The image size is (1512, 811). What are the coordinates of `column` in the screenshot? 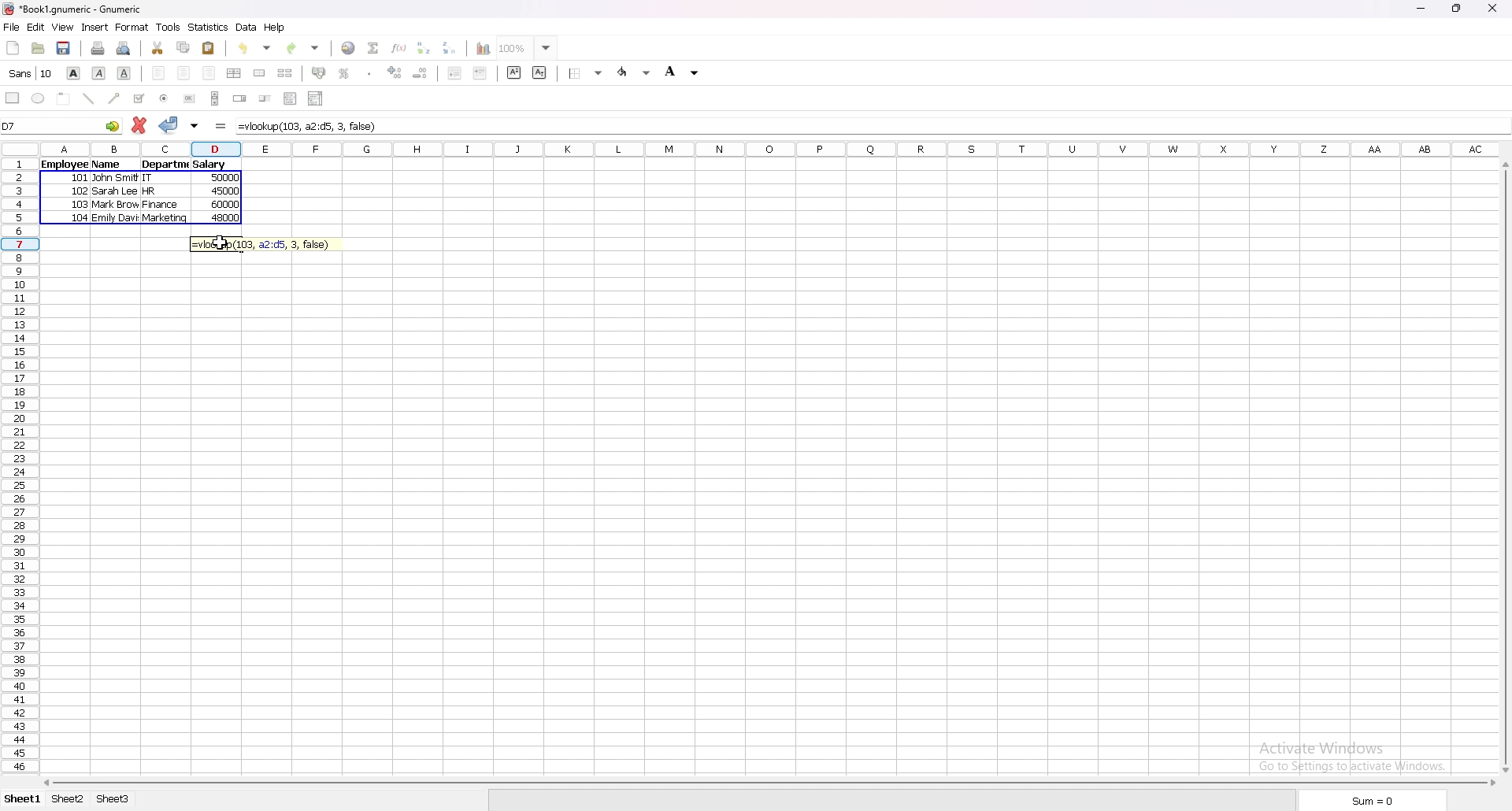 It's located at (770, 150).